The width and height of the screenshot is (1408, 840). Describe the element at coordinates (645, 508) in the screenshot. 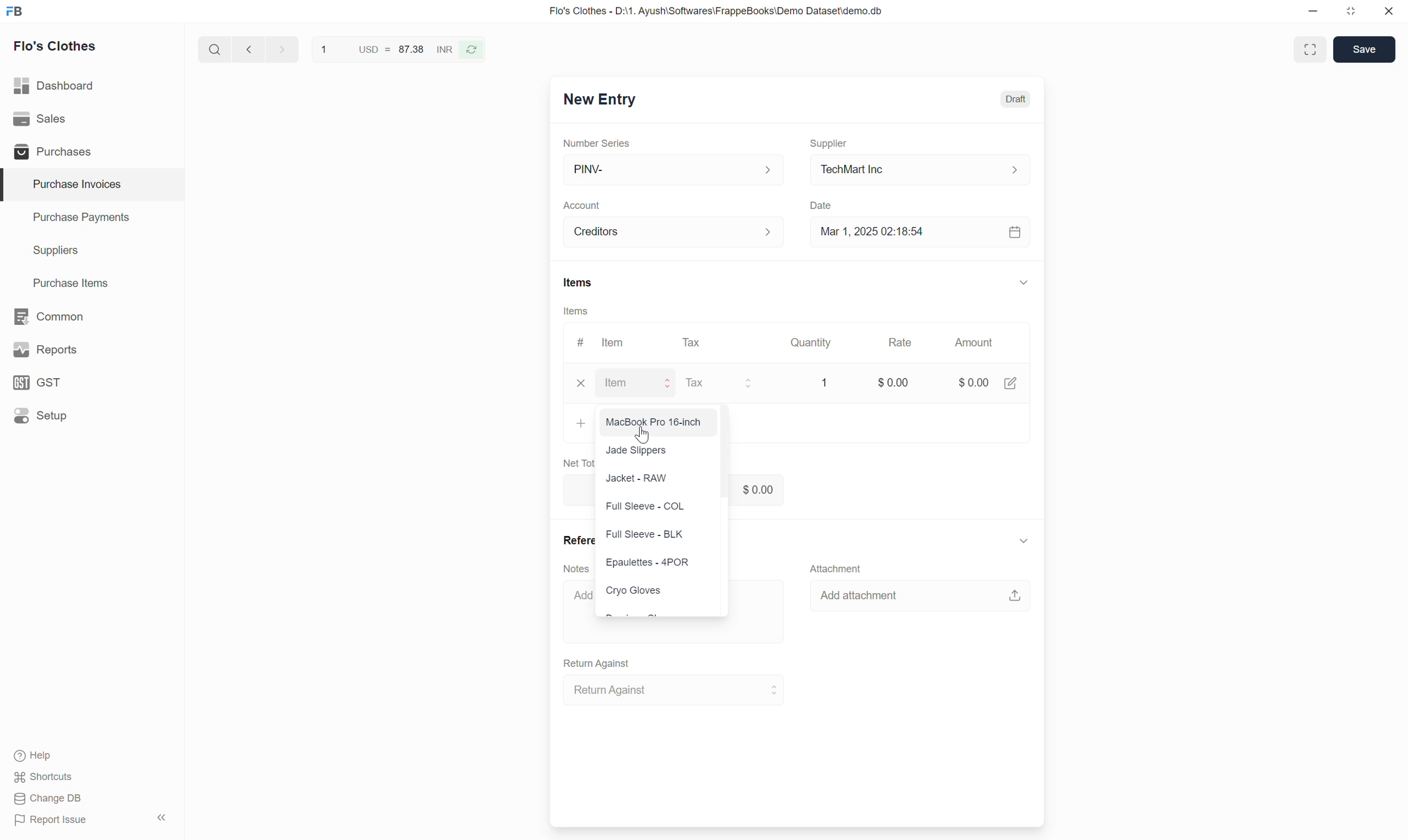

I see `Full Sleeve - COL` at that location.